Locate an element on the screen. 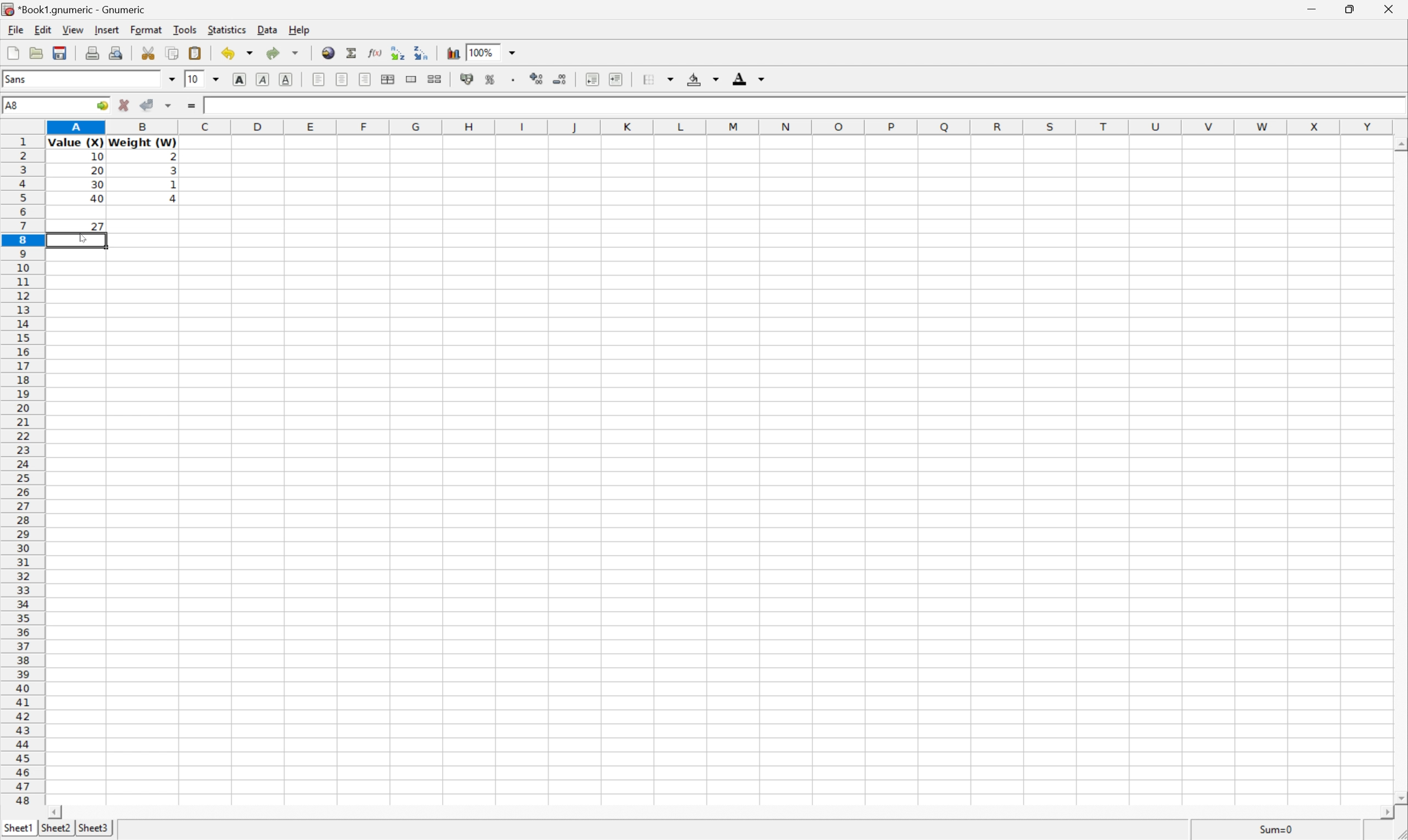 The width and height of the screenshot is (1408, 840). 27 is located at coordinates (97, 226).